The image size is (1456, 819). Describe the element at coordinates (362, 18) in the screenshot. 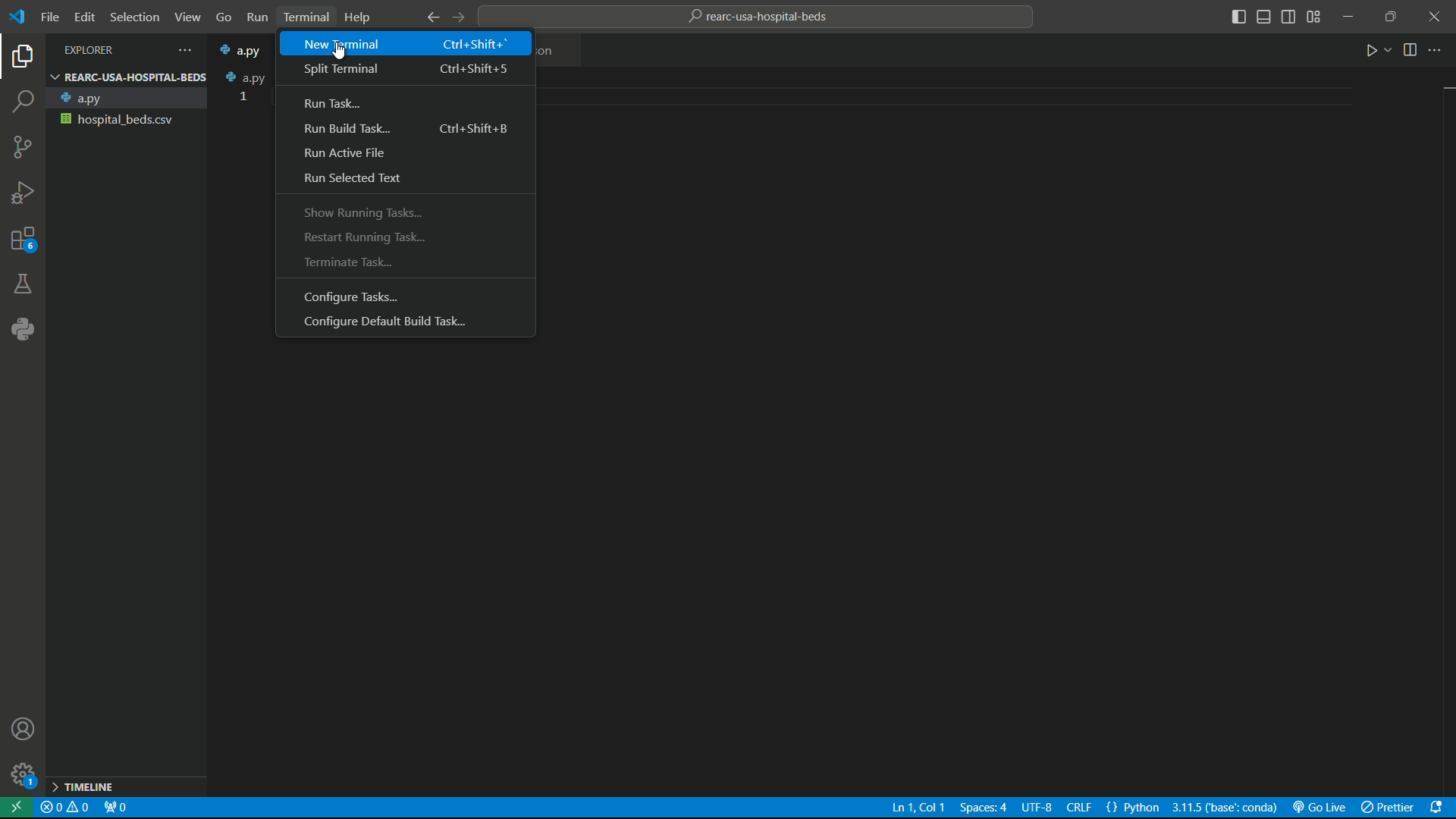

I see `help menu` at that location.